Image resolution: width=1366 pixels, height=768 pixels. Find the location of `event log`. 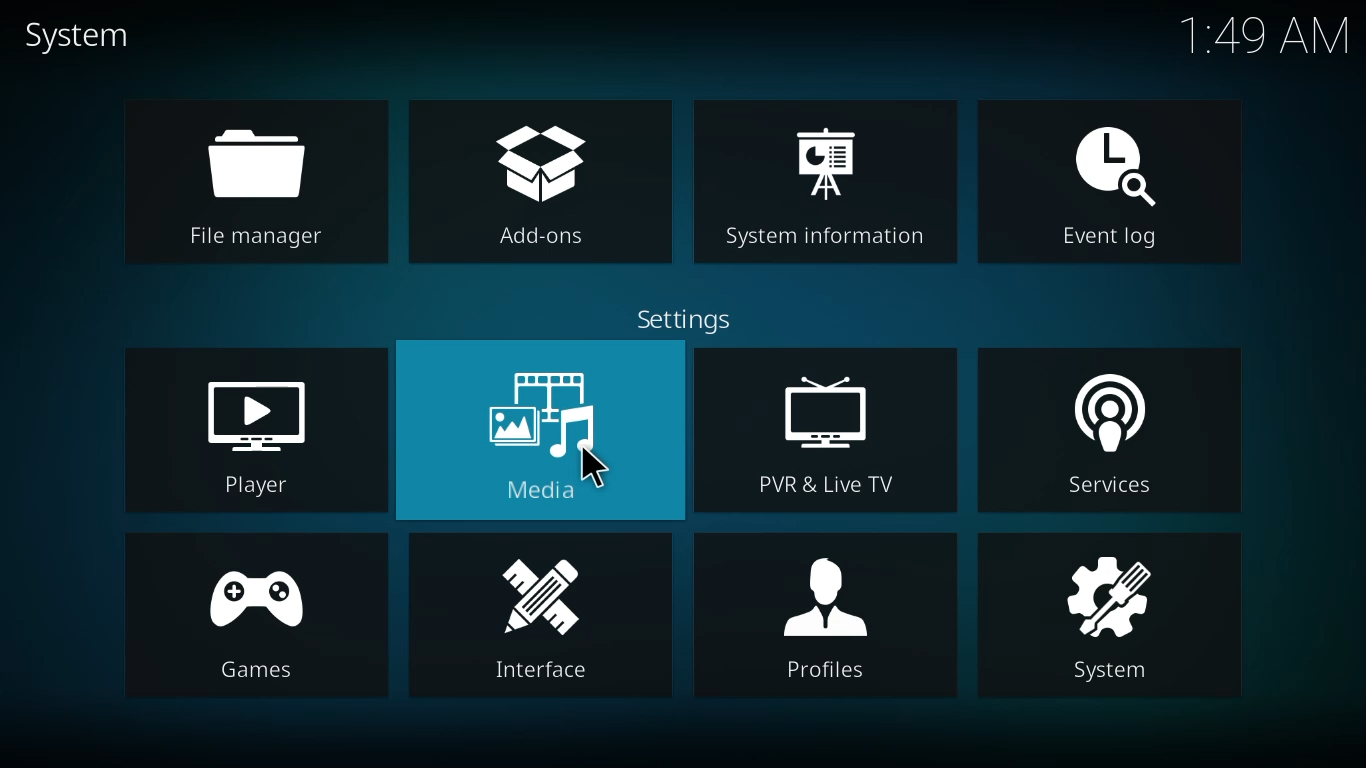

event log is located at coordinates (1114, 182).